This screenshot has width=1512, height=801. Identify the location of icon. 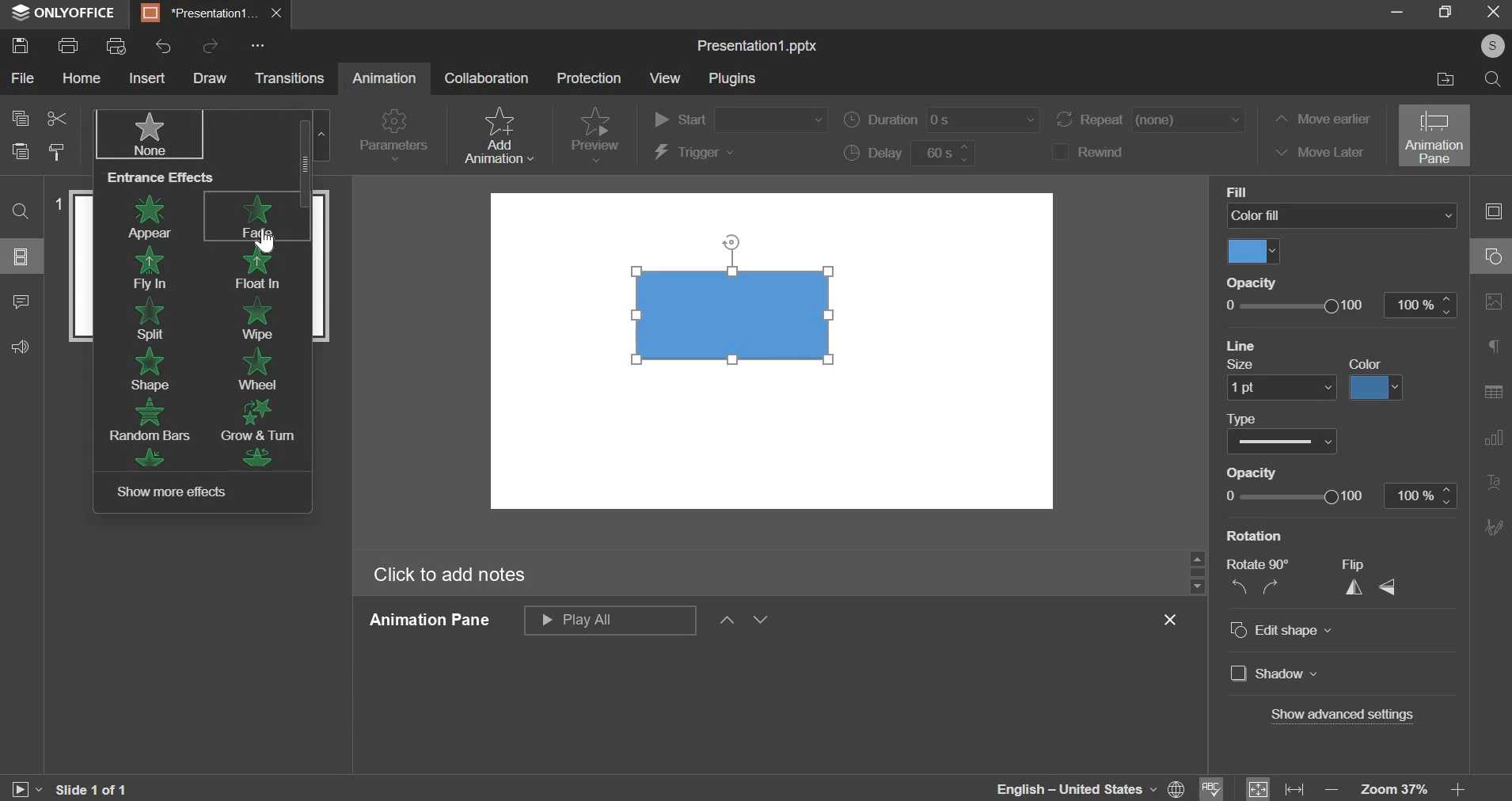
(264, 459).